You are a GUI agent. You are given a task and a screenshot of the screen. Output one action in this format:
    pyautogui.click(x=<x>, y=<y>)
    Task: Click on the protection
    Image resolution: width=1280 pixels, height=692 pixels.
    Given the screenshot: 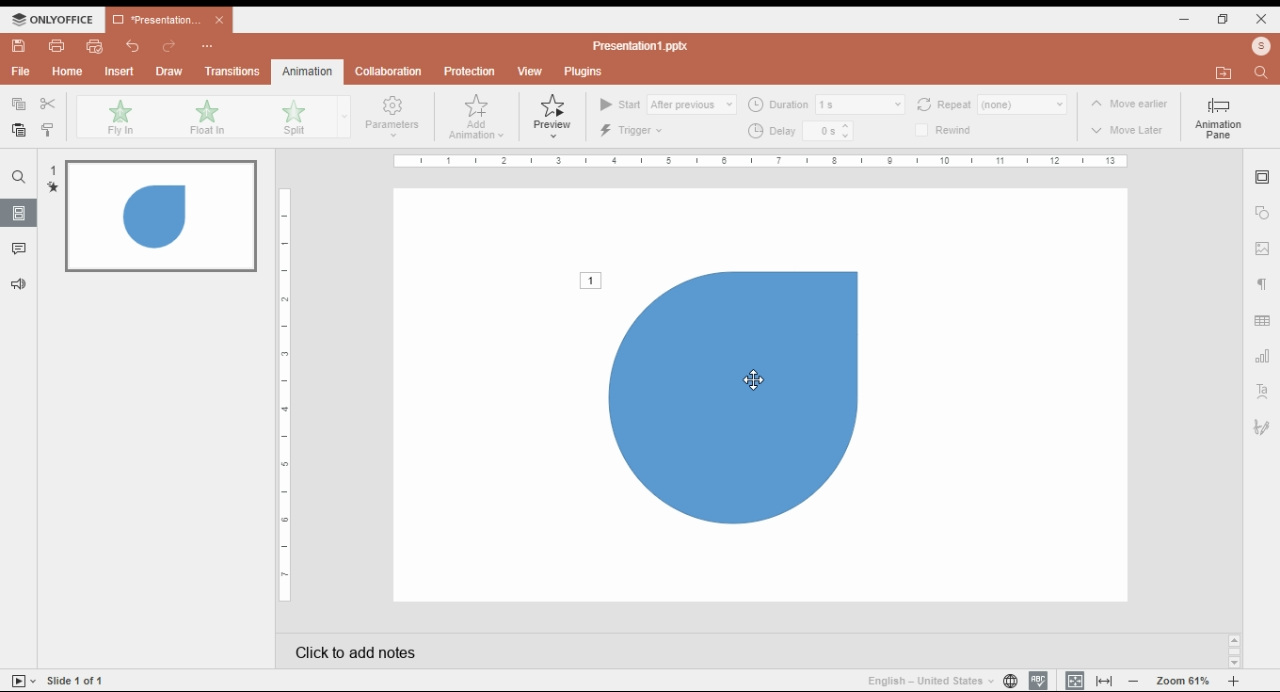 What is the action you would take?
    pyautogui.click(x=469, y=71)
    